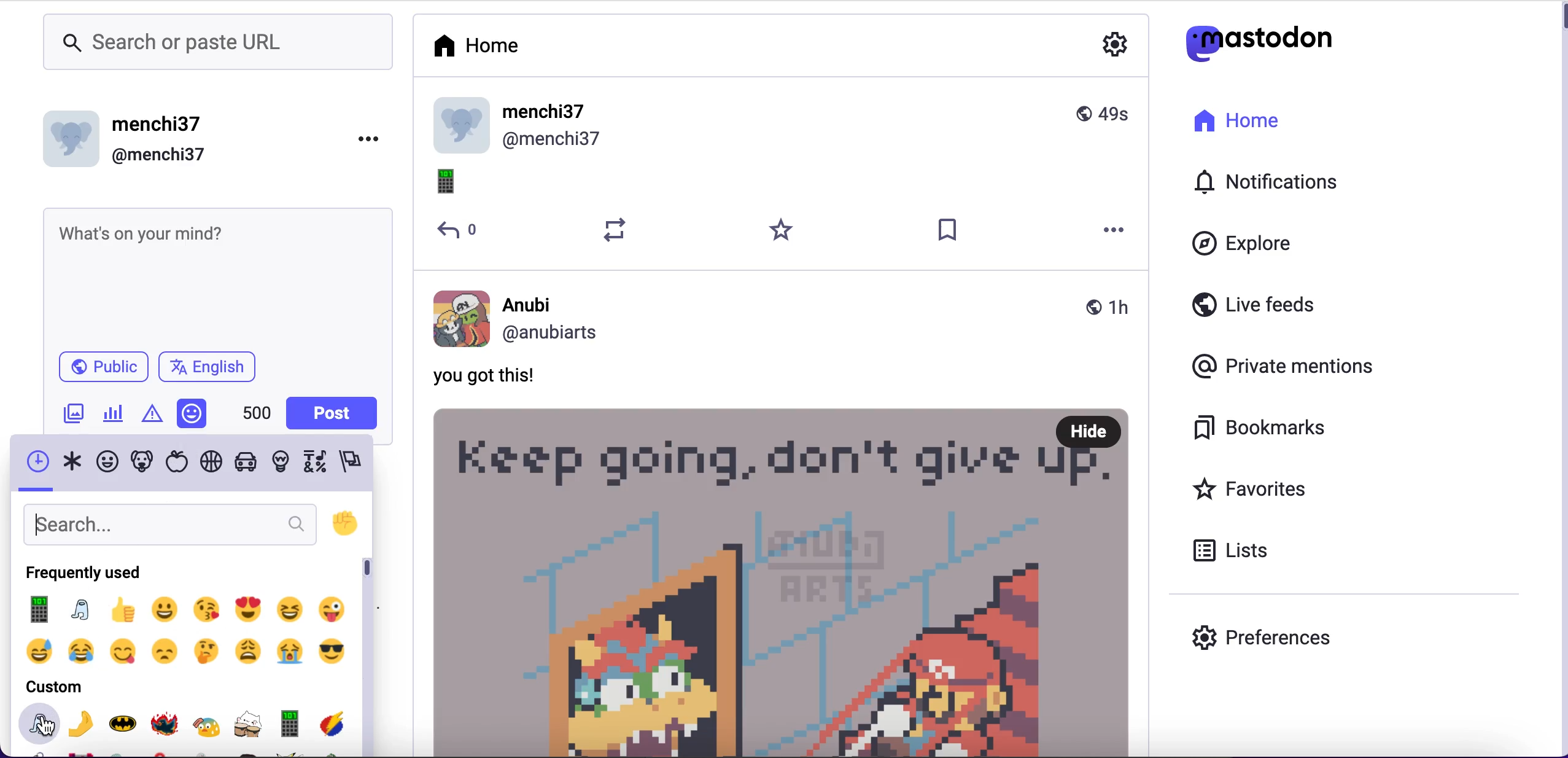 The height and width of the screenshot is (758, 1568). What do you see at coordinates (335, 410) in the screenshot?
I see `post` at bounding box center [335, 410].